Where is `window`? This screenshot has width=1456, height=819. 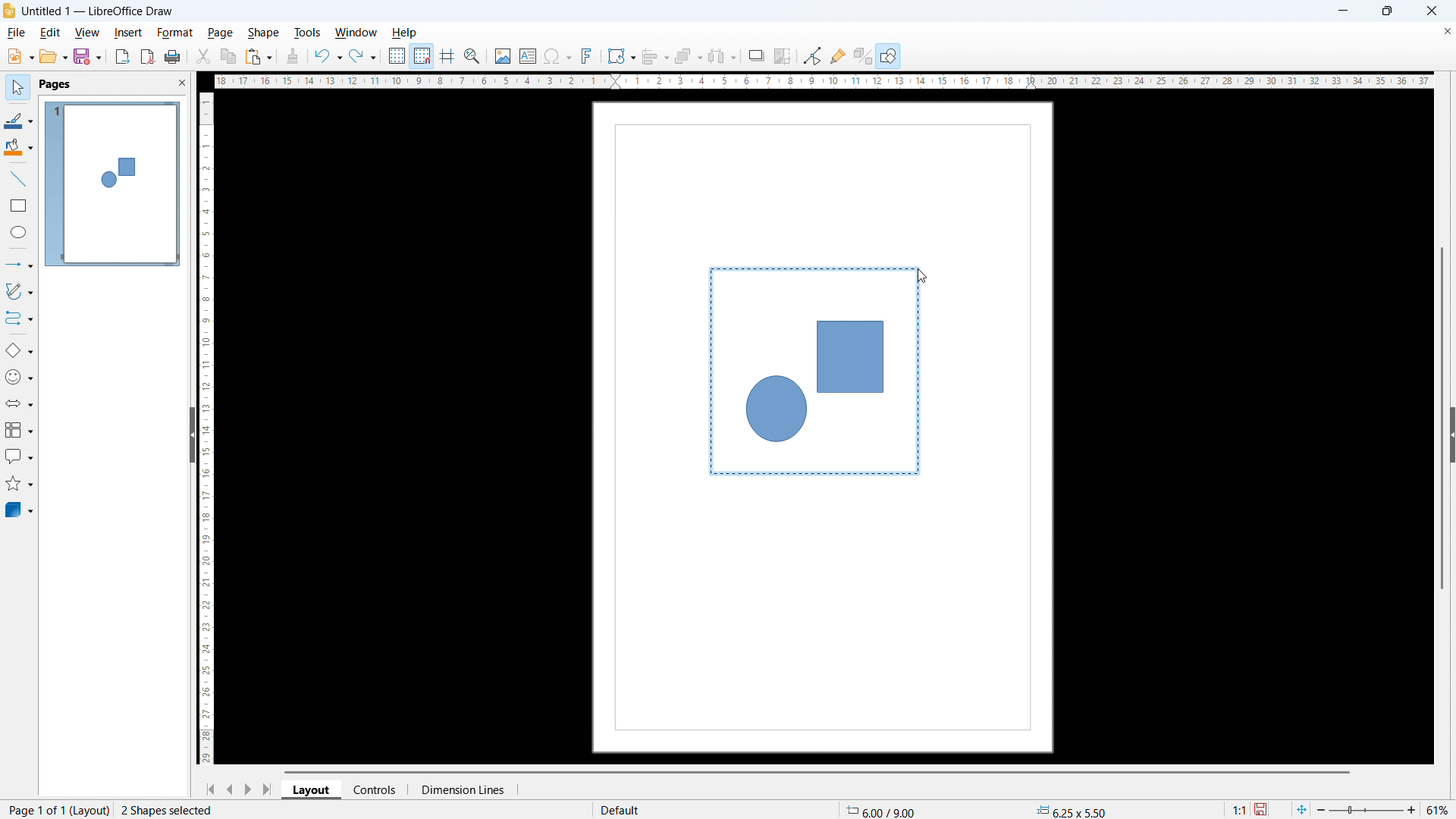 window is located at coordinates (356, 33).